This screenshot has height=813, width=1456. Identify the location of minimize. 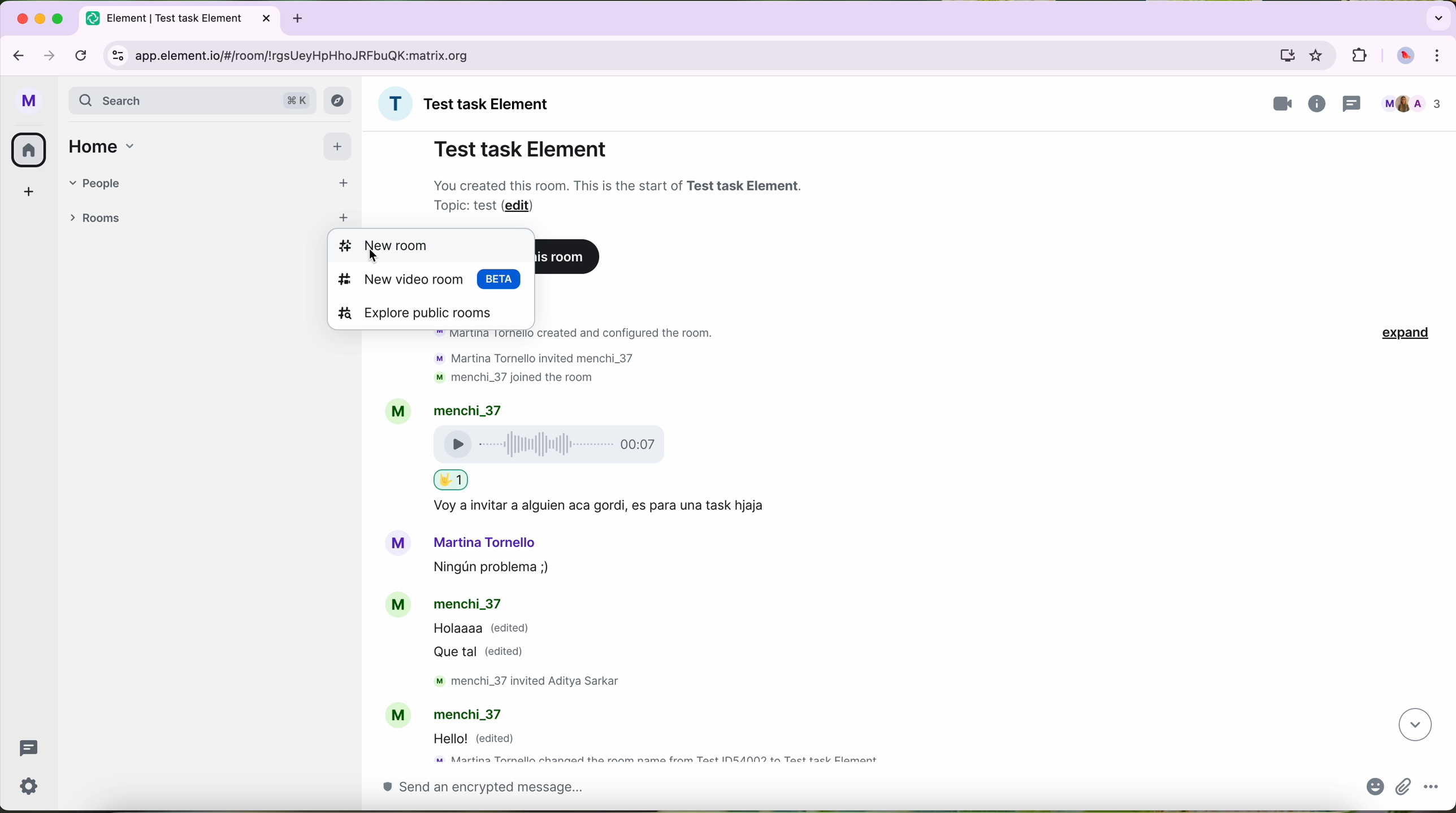
(42, 19).